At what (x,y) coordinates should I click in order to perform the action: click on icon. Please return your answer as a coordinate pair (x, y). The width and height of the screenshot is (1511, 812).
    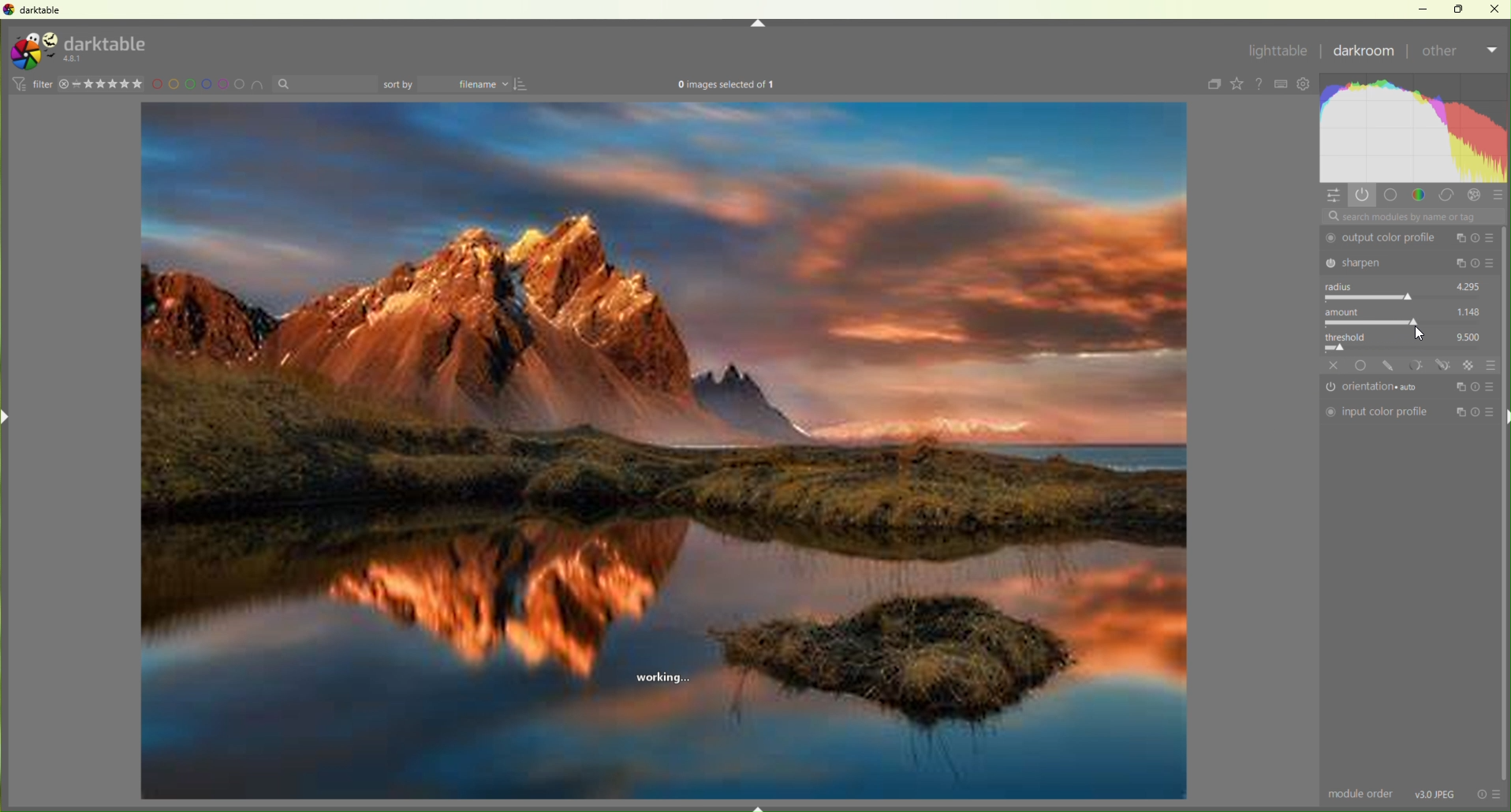
    Looking at the image, I should click on (17, 84).